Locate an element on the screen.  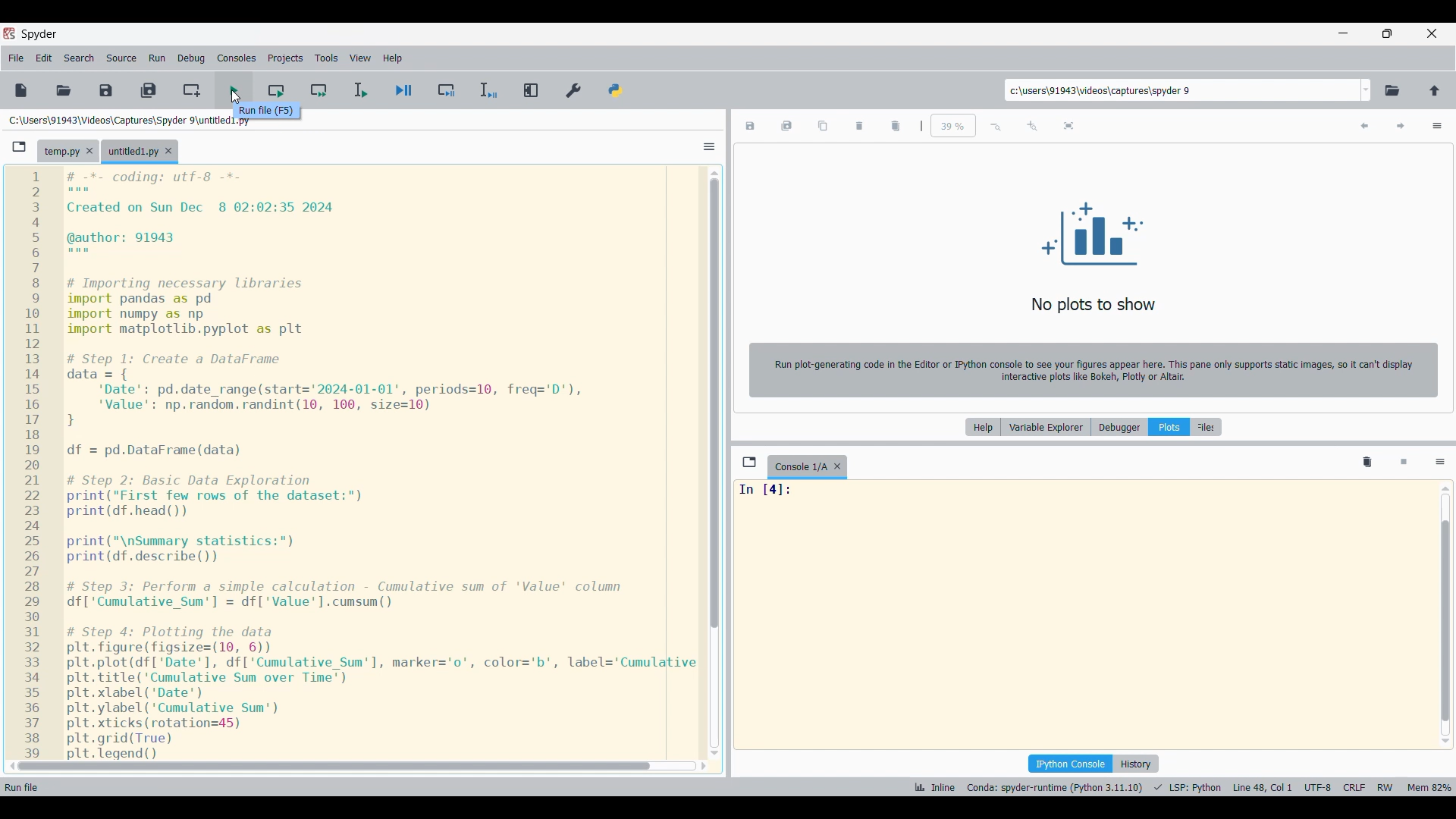
Browse tabs is located at coordinates (749, 462).